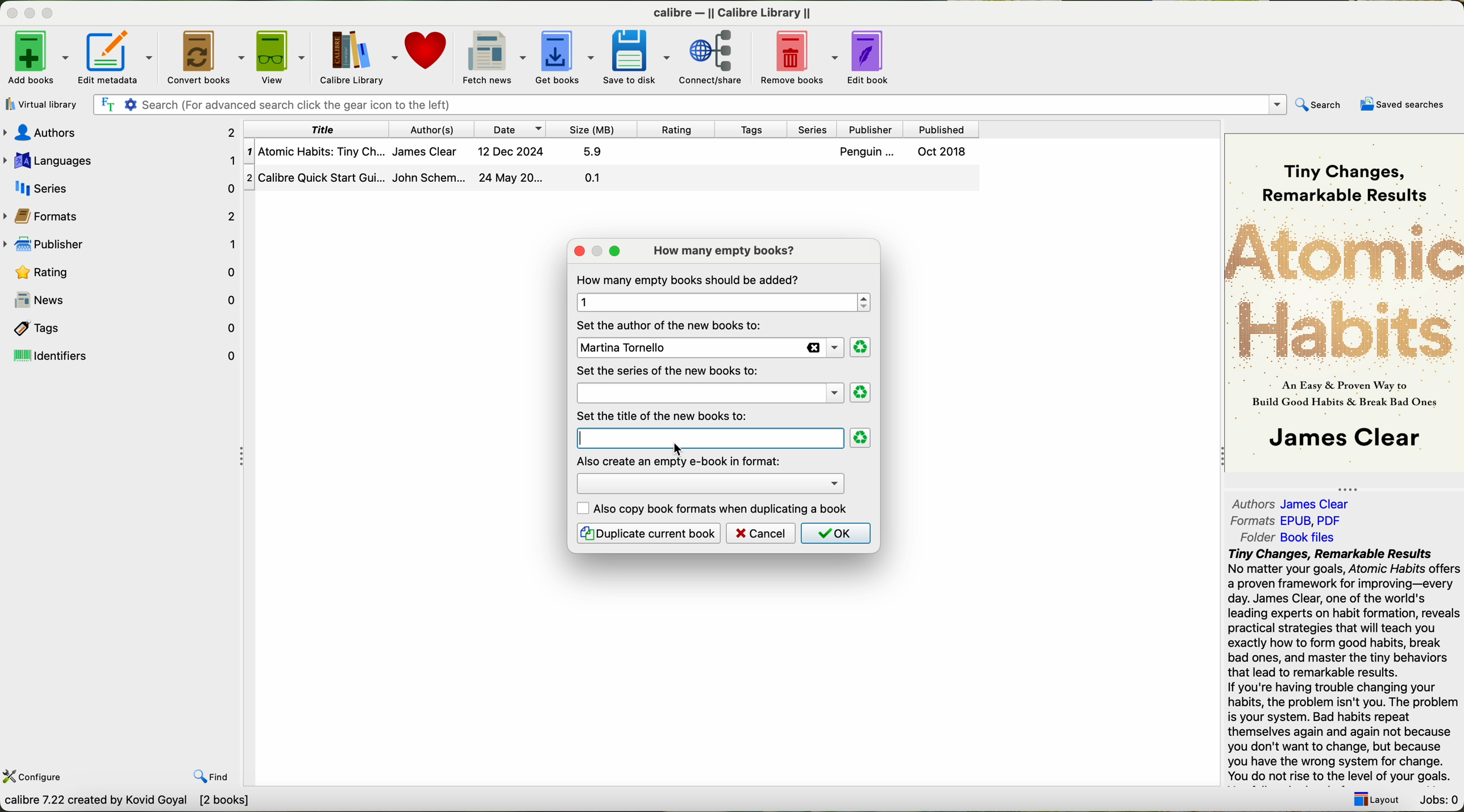 This screenshot has width=1464, height=812. What do you see at coordinates (279, 56) in the screenshot?
I see `view` at bounding box center [279, 56].